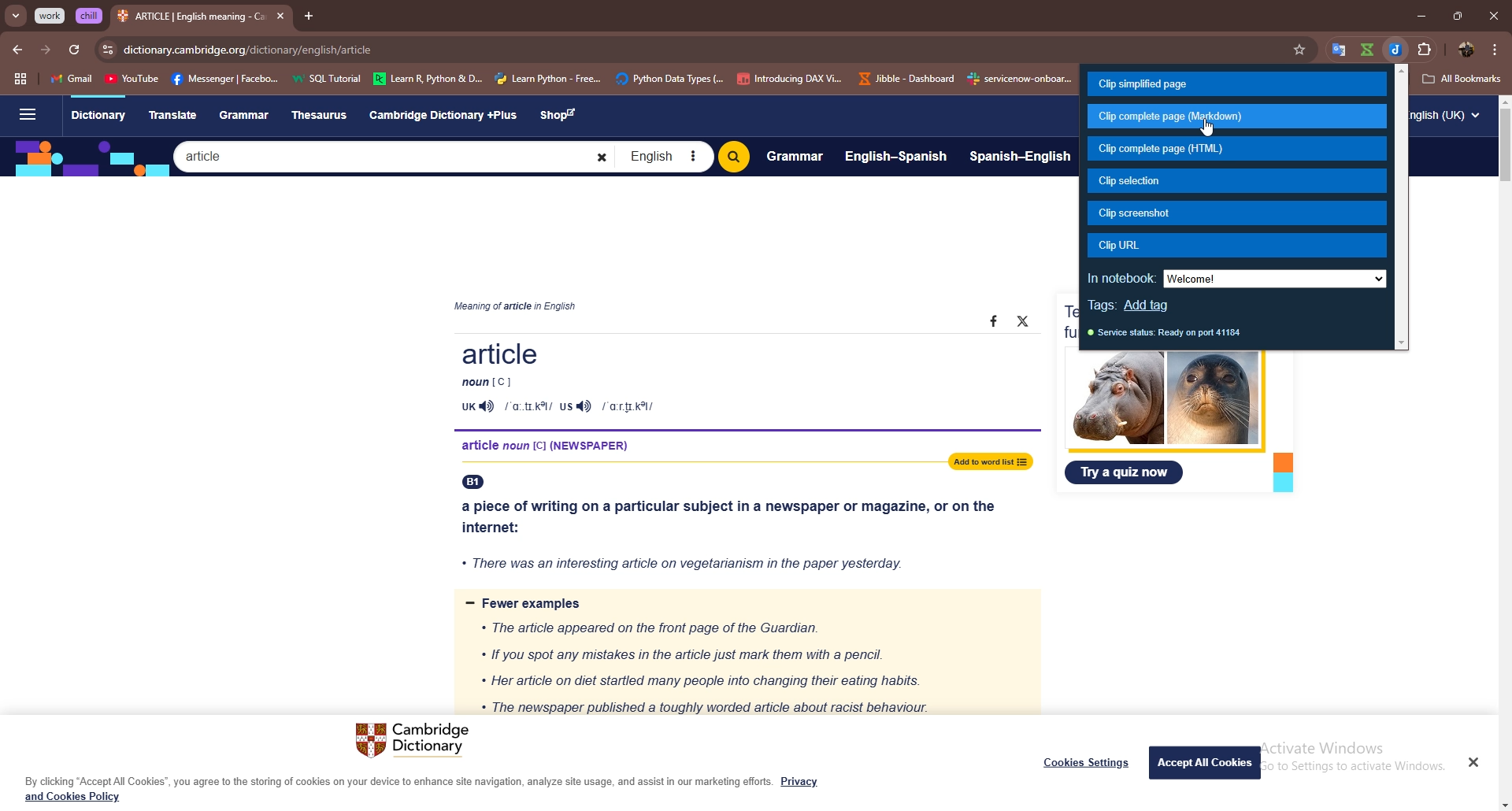  Describe the element at coordinates (1462, 79) in the screenshot. I see `all bookmarks` at that location.